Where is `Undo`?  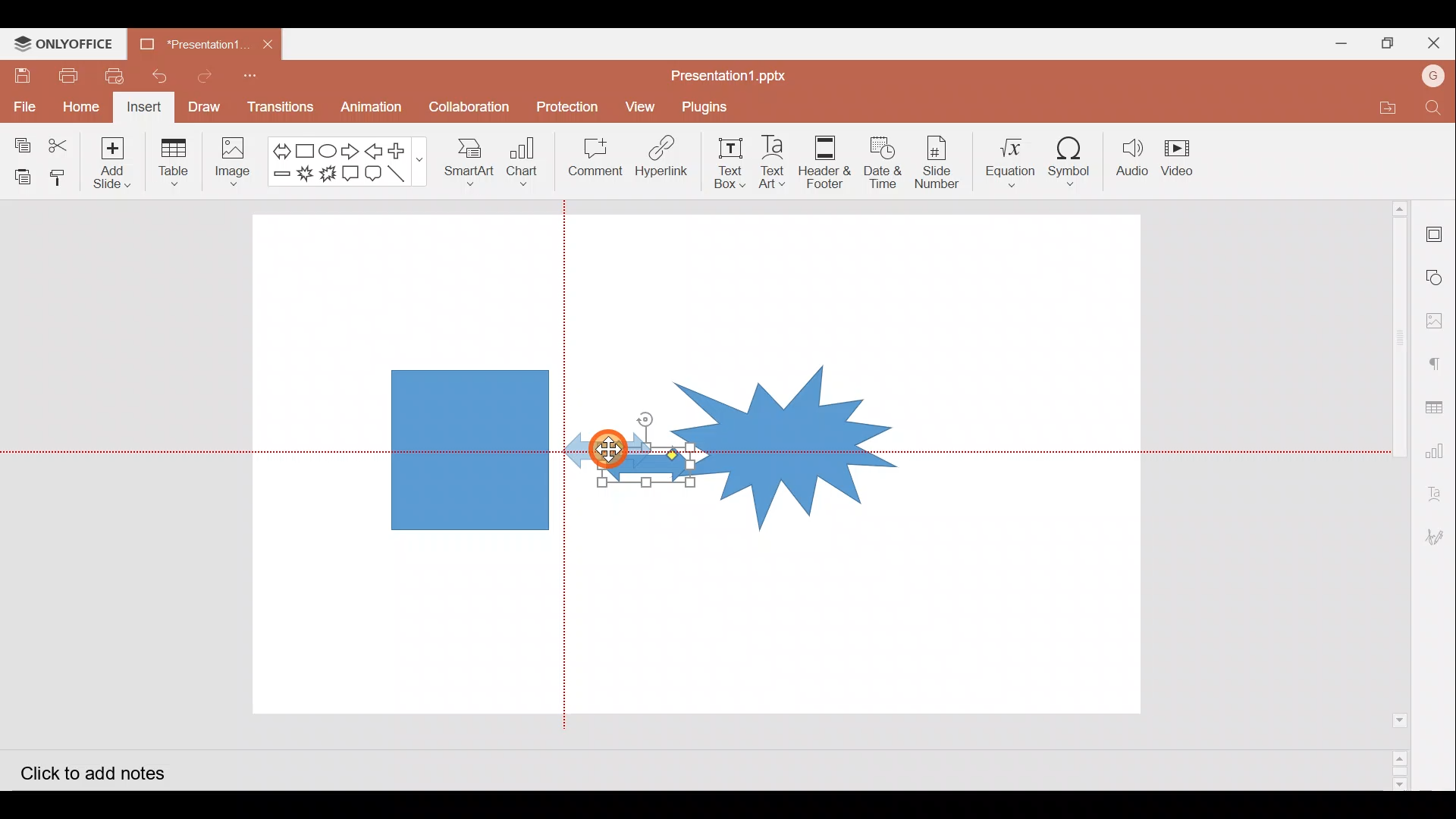
Undo is located at coordinates (164, 78).